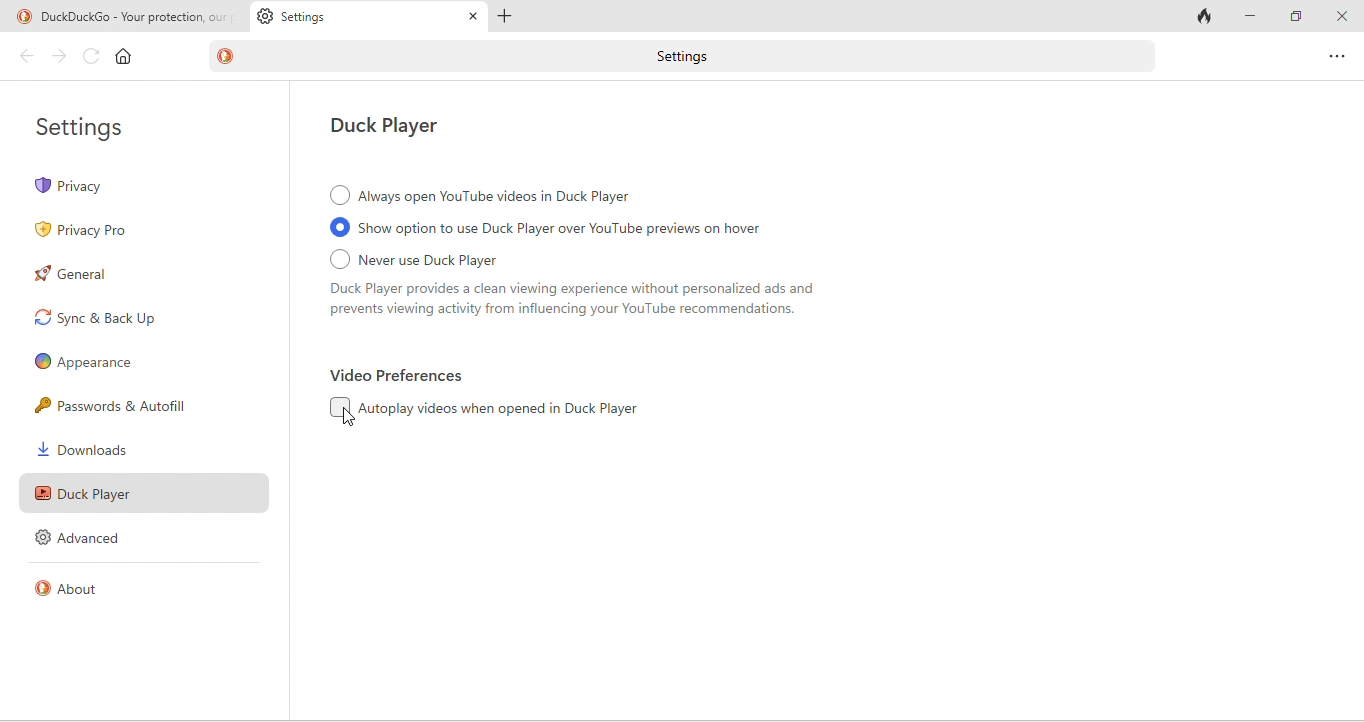  Describe the element at coordinates (399, 376) in the screenshot. I see `video preferences` at that location.